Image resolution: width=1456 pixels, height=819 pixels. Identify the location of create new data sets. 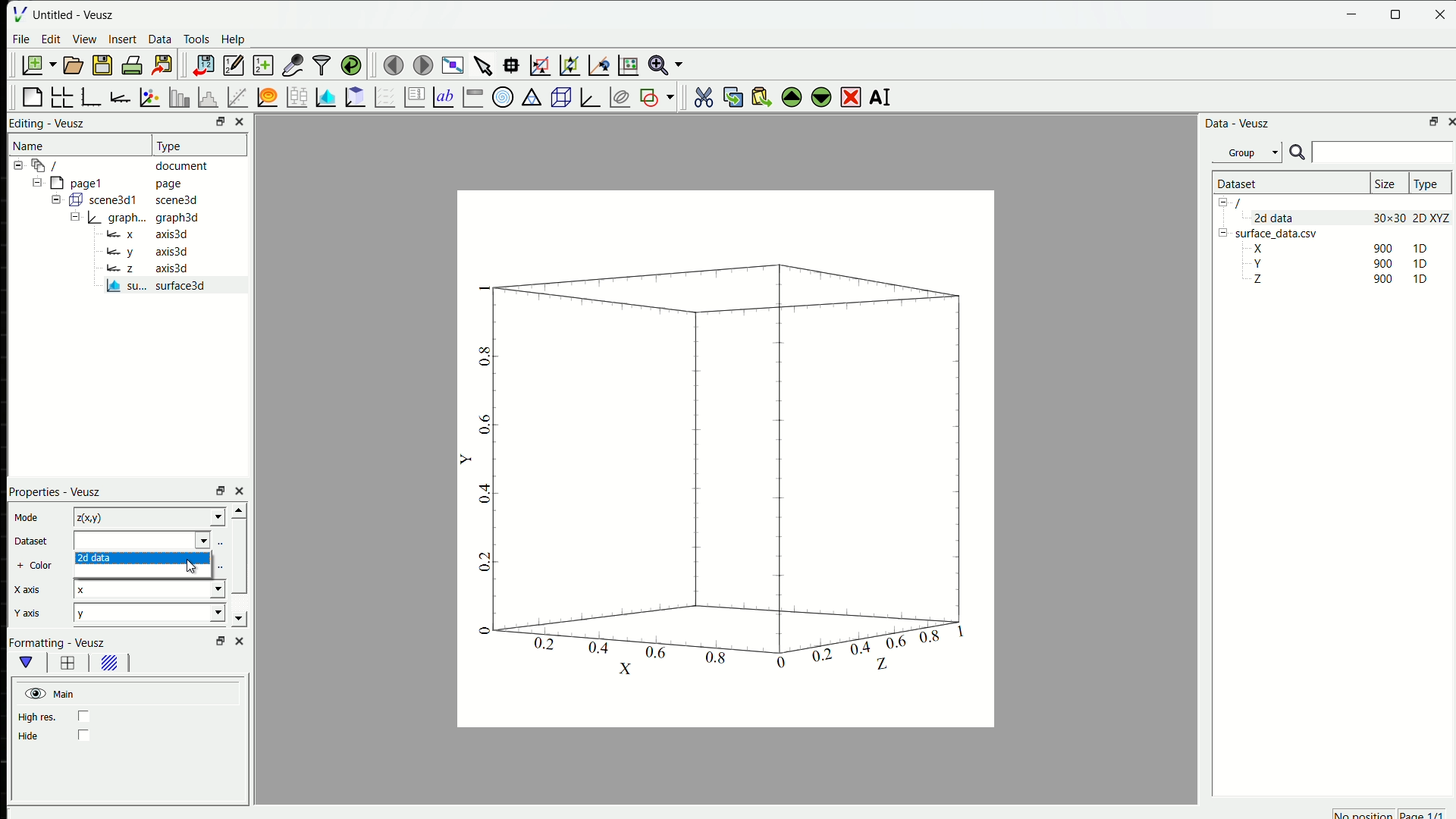
(263, 65).